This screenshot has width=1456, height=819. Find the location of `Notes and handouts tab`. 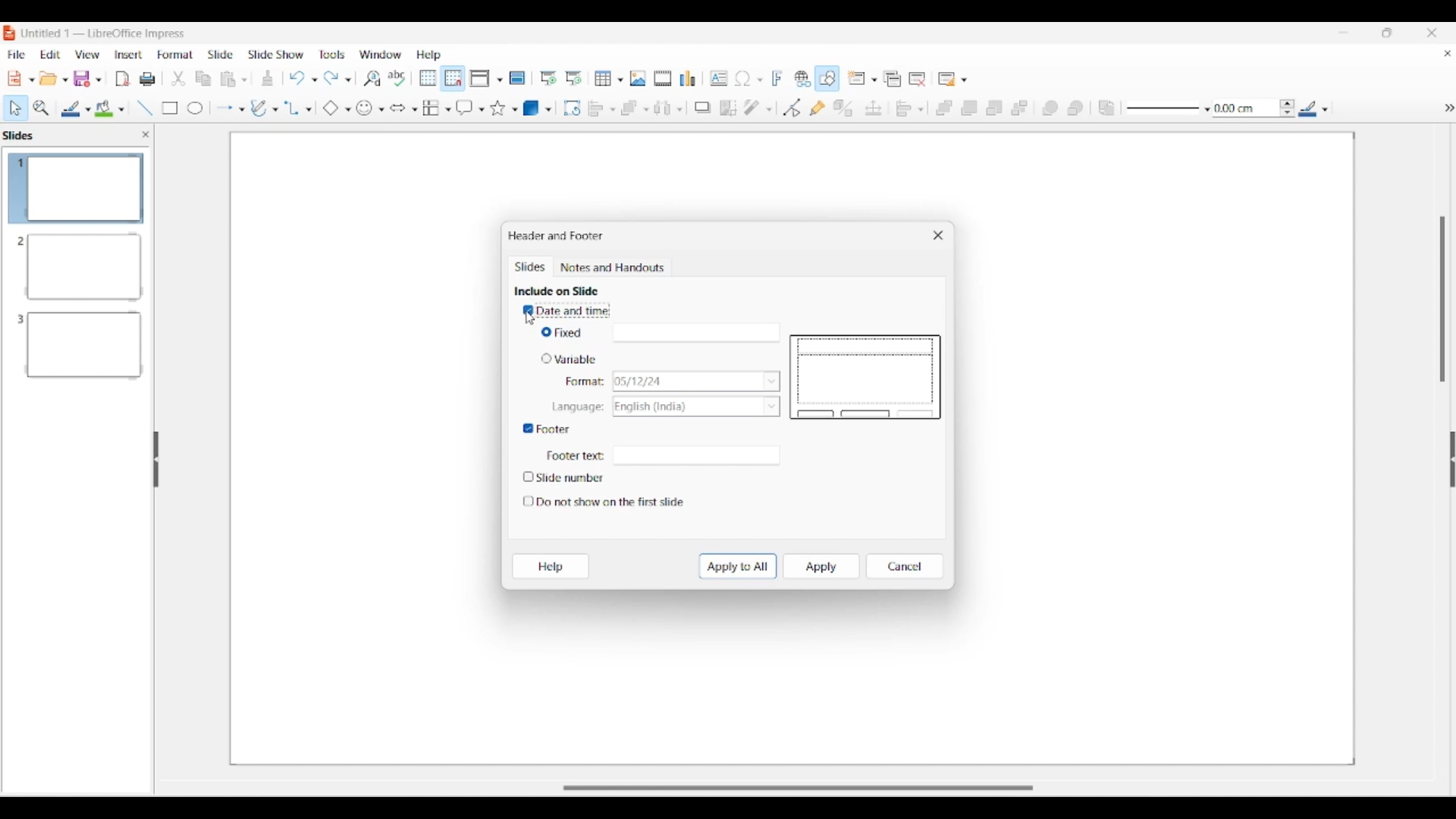

Notes and handouts tab is located at coordinates (614, 268).